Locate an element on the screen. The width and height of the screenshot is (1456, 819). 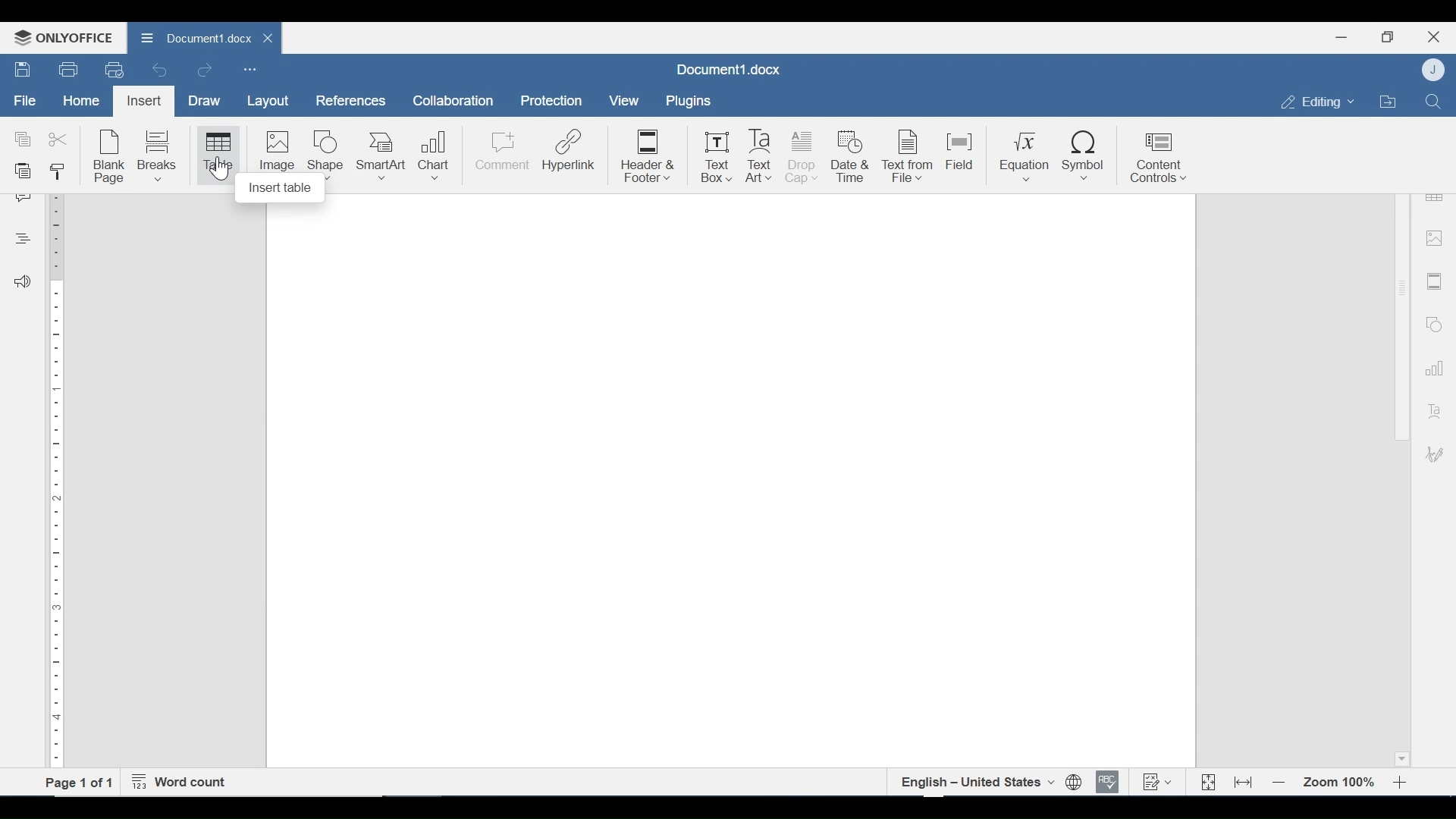
Image is located at coordinates (276, 150).